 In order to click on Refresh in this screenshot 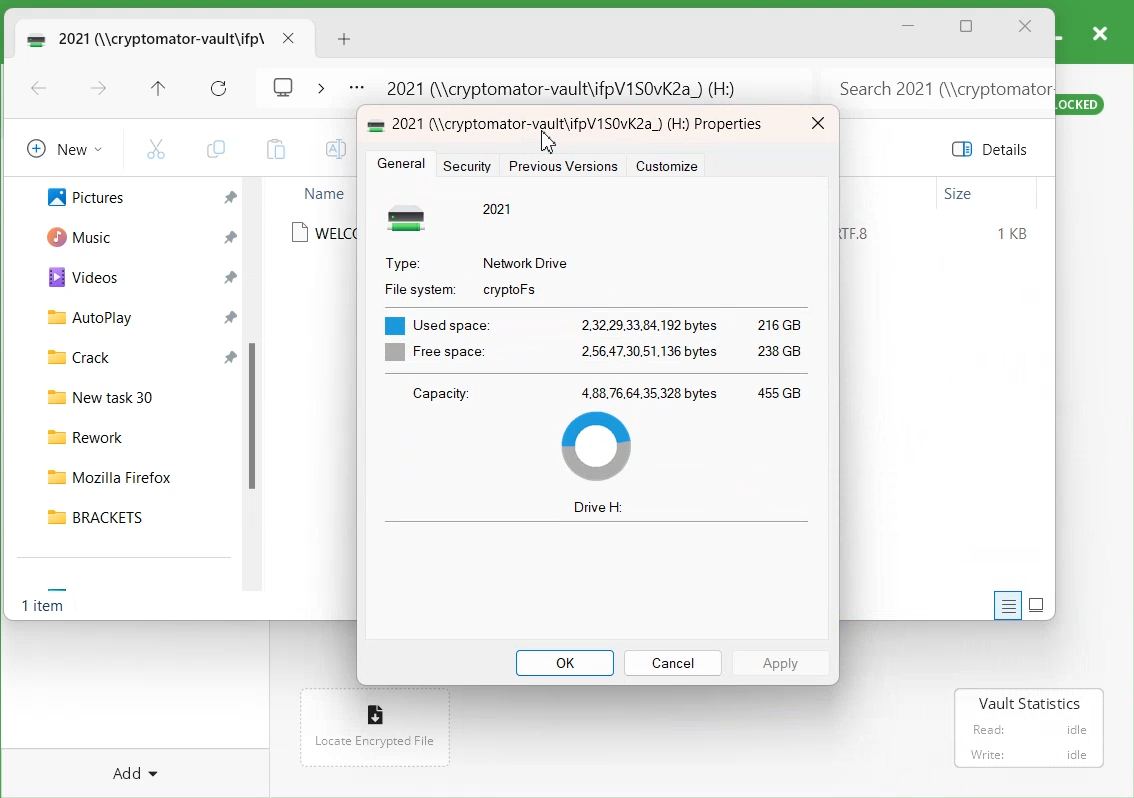, I will do `click(219, 89)`.